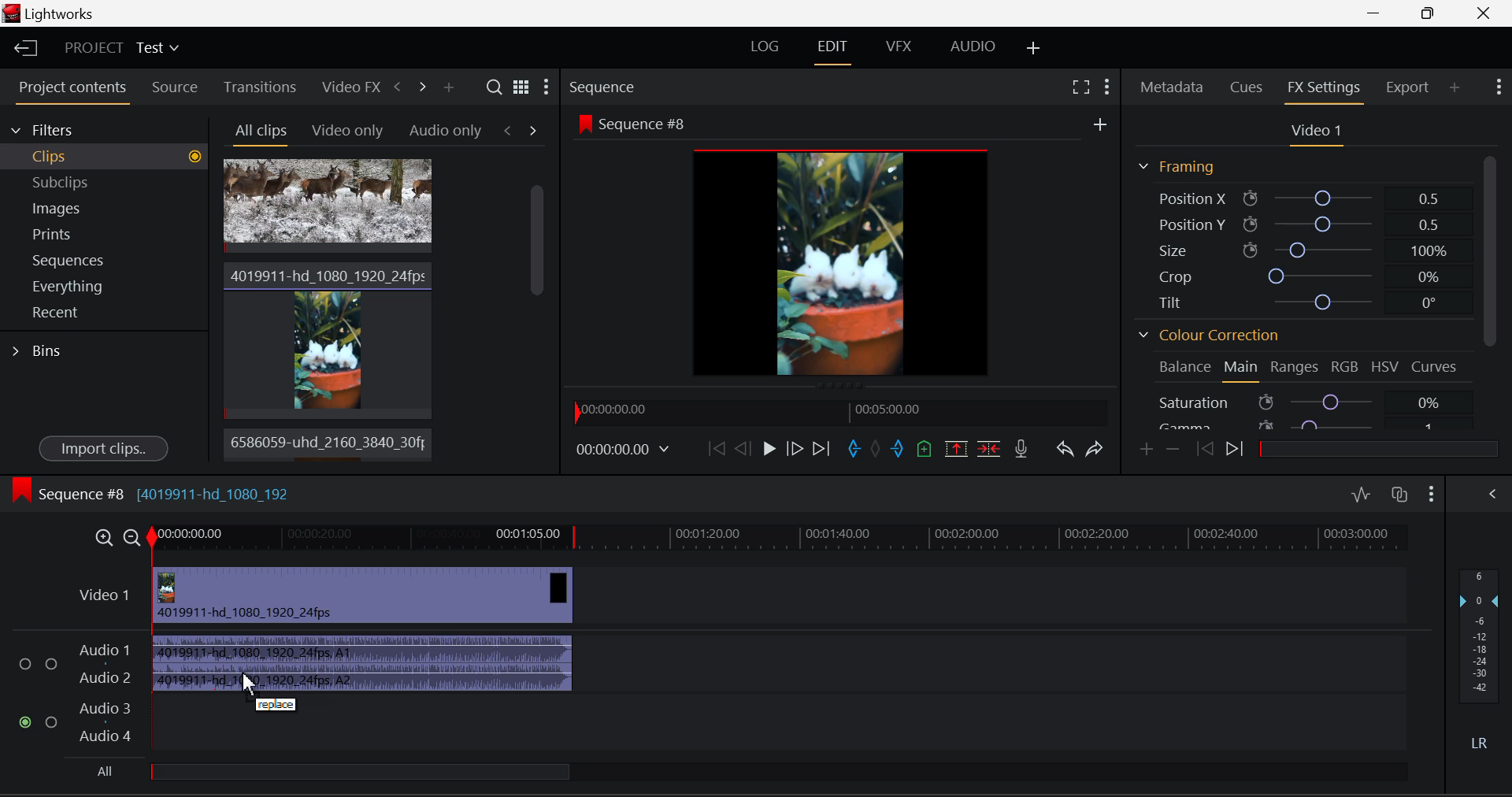  Describe the element at coordinates (74, 695) in the screenshot. I see `Audio Input Fields` at that location.